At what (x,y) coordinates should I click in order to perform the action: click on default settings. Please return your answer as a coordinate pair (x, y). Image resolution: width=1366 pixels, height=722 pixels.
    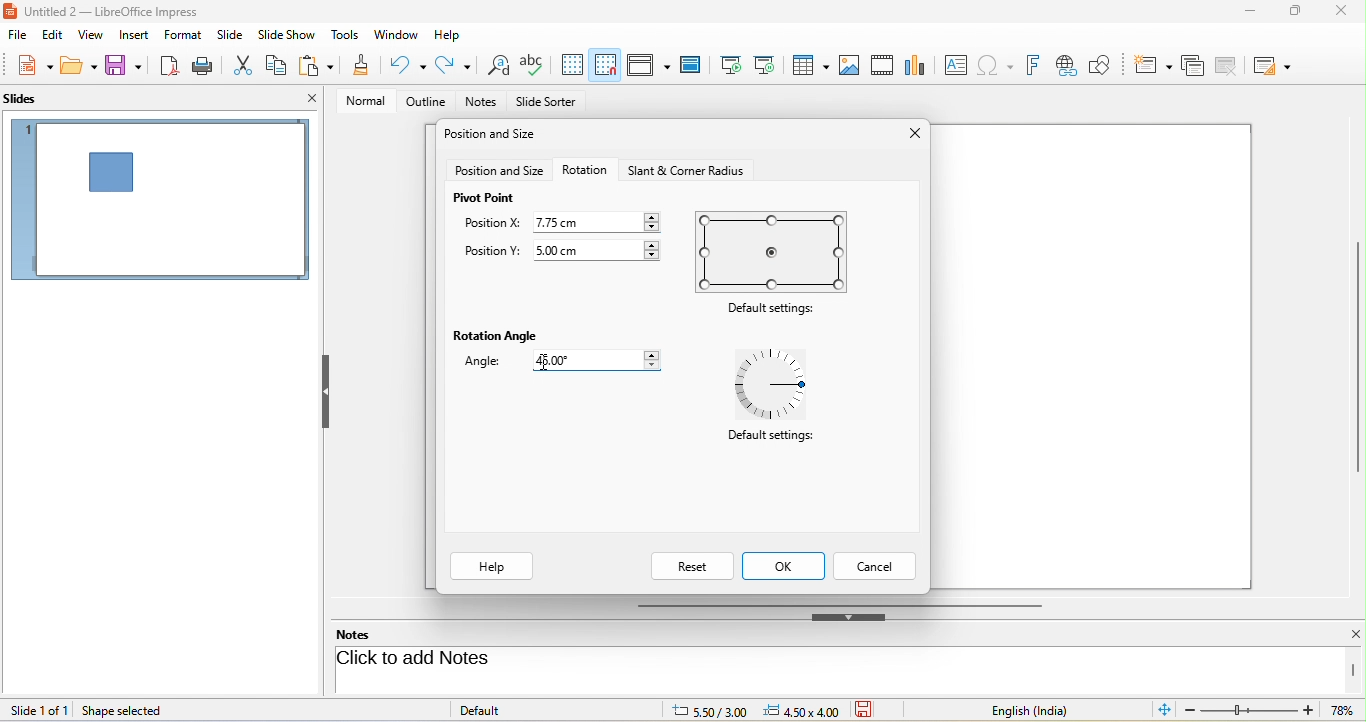
    Looking at the image, I should click on (775, 251).